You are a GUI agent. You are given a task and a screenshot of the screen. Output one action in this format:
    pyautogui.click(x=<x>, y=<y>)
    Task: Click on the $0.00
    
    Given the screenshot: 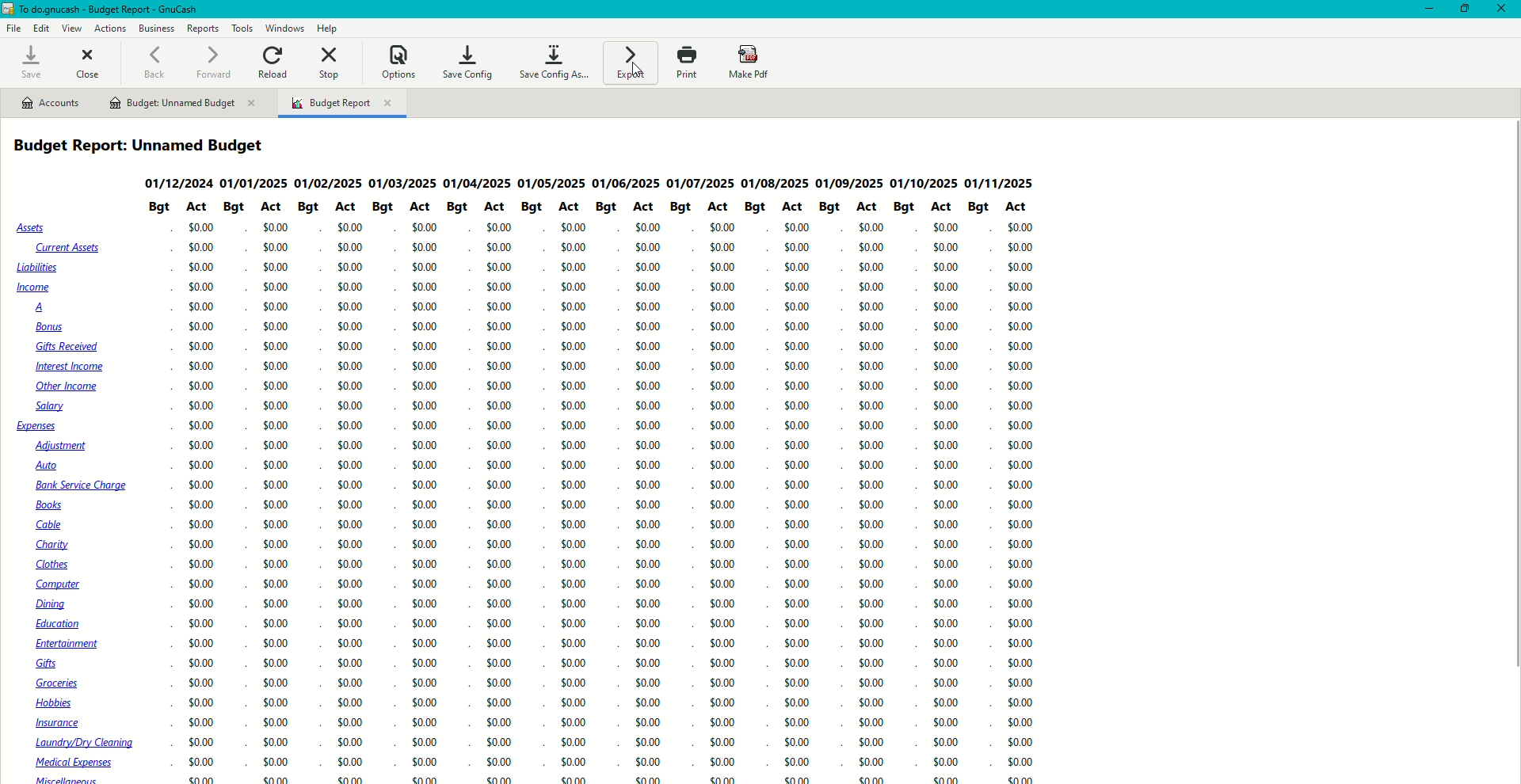 What is the action you would take?
    pyautogui.click(x=573, y=447)
    